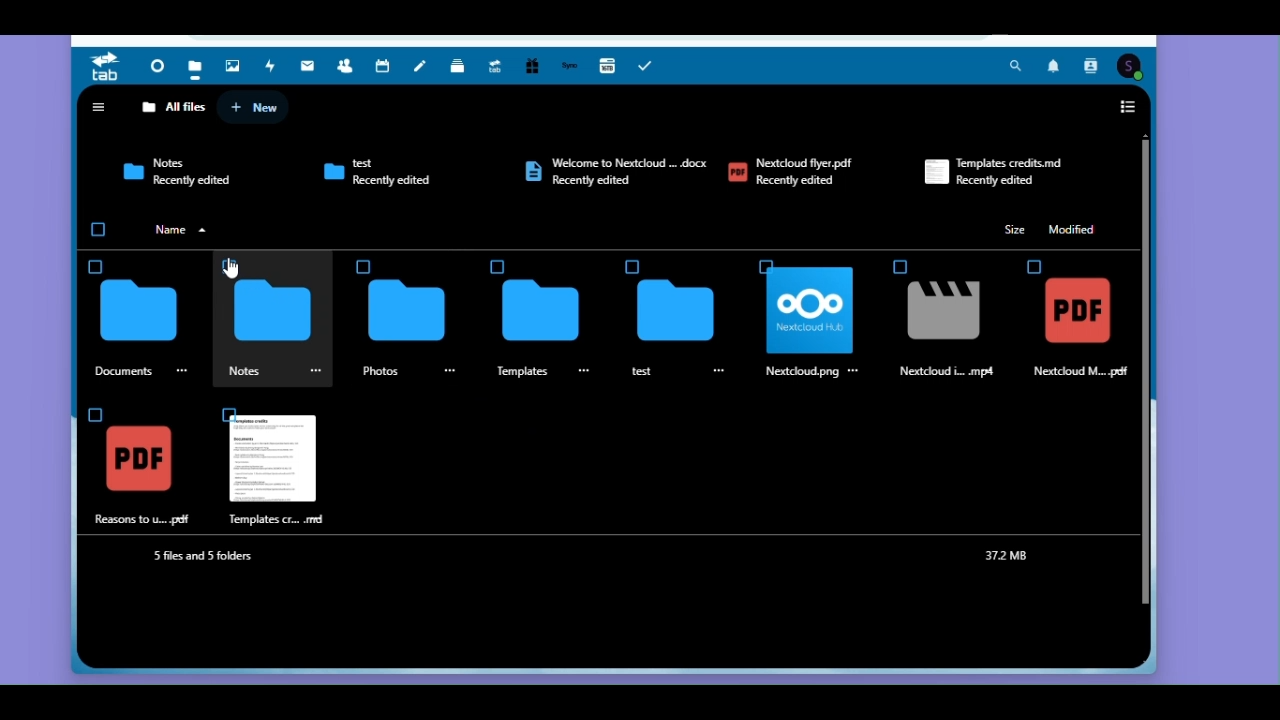 The image size is (1280, 720). What do you see at coordinates (91, 414) in the screenshot?
I see `Check box` at bounding box center [91, 414].